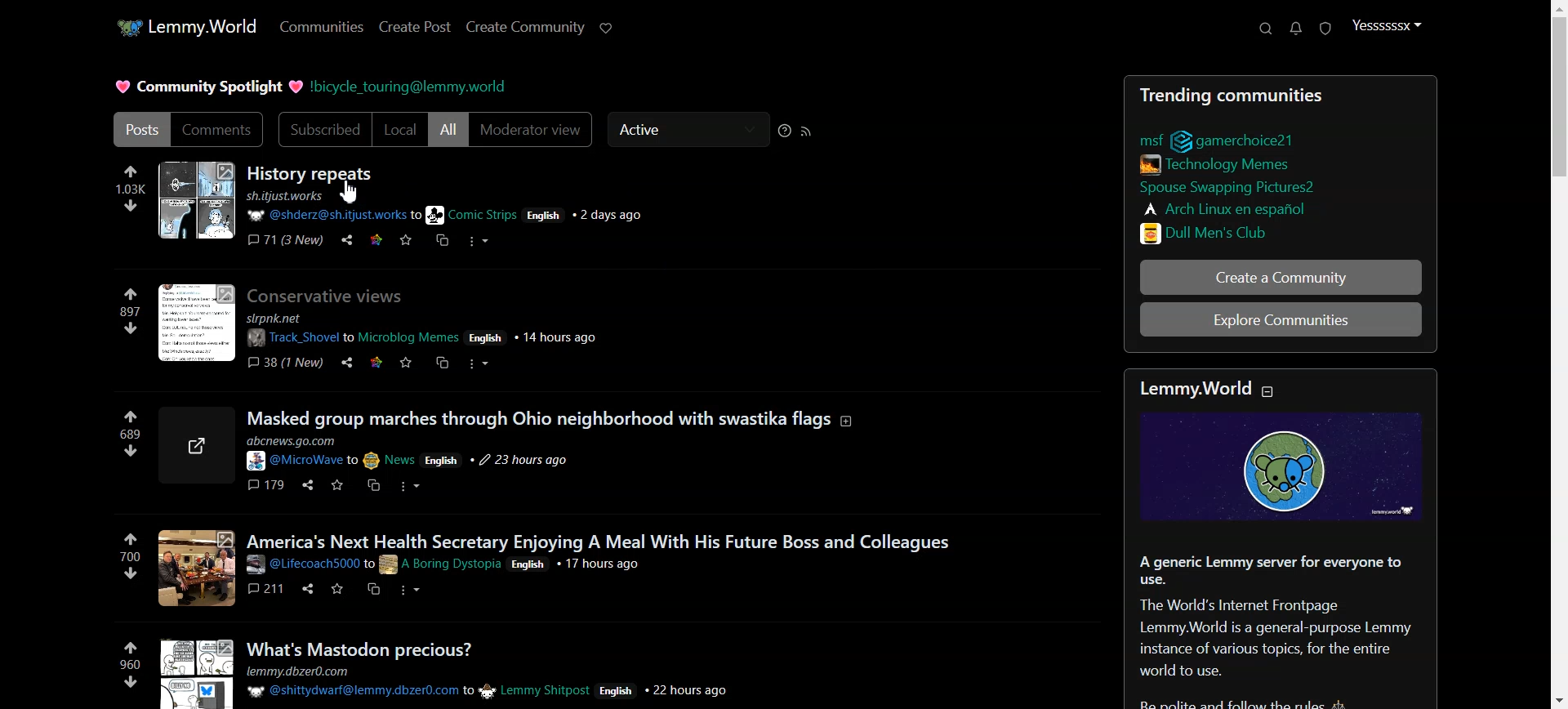  I want to click on Home page, so click(185, 28).